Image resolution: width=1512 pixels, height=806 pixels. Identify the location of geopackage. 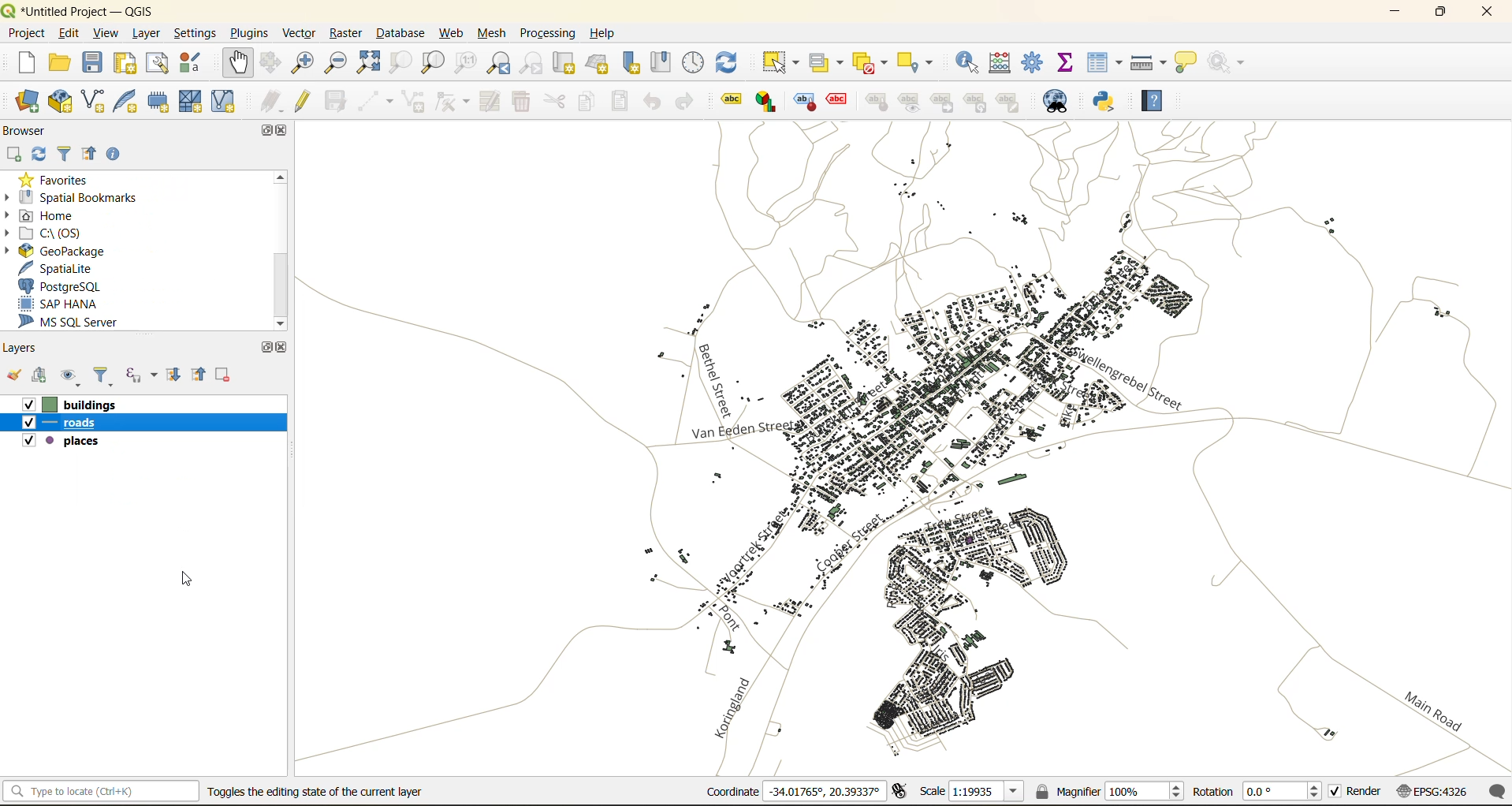
(69, 252).